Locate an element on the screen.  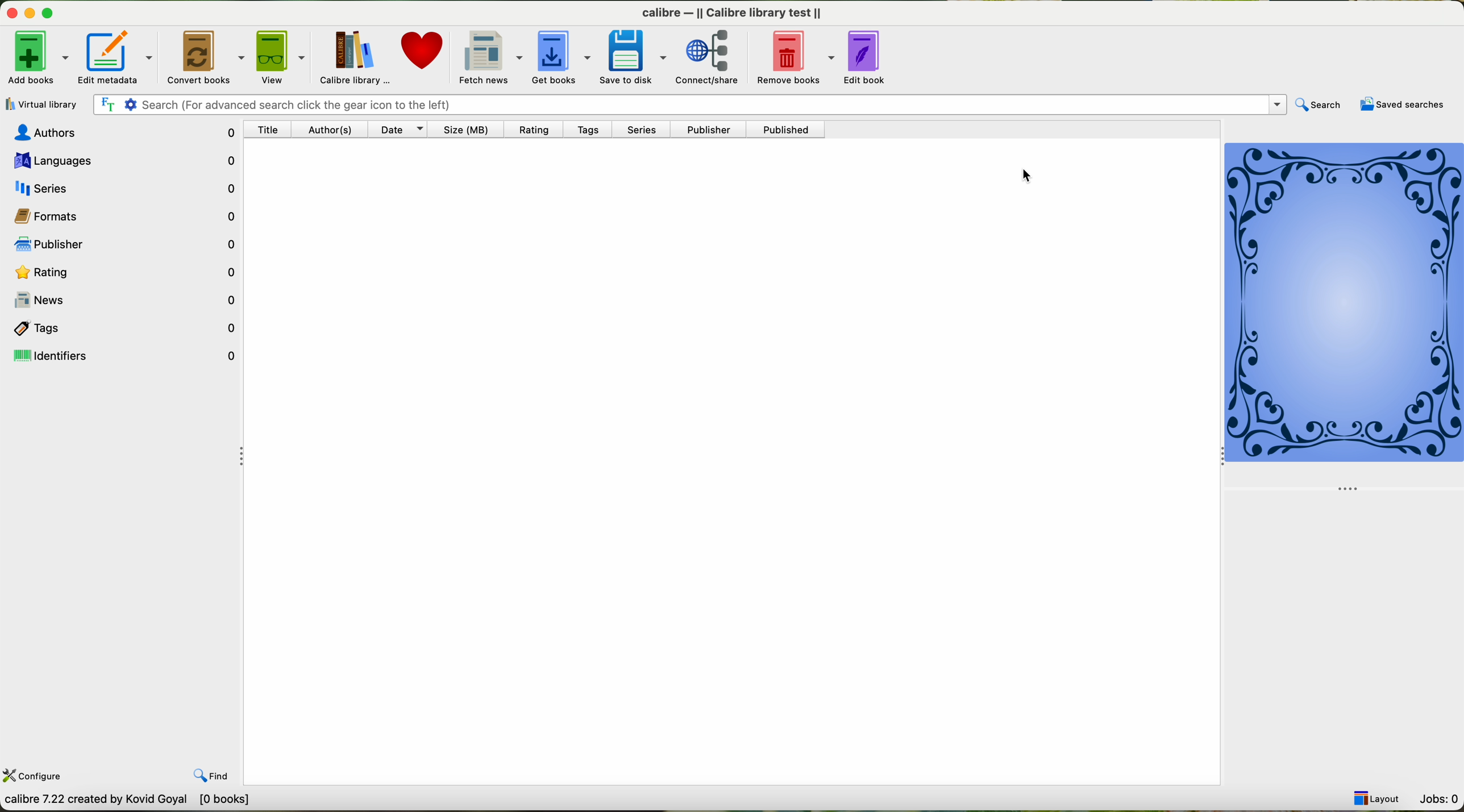
save to disk is located at coordinates (624, 56).